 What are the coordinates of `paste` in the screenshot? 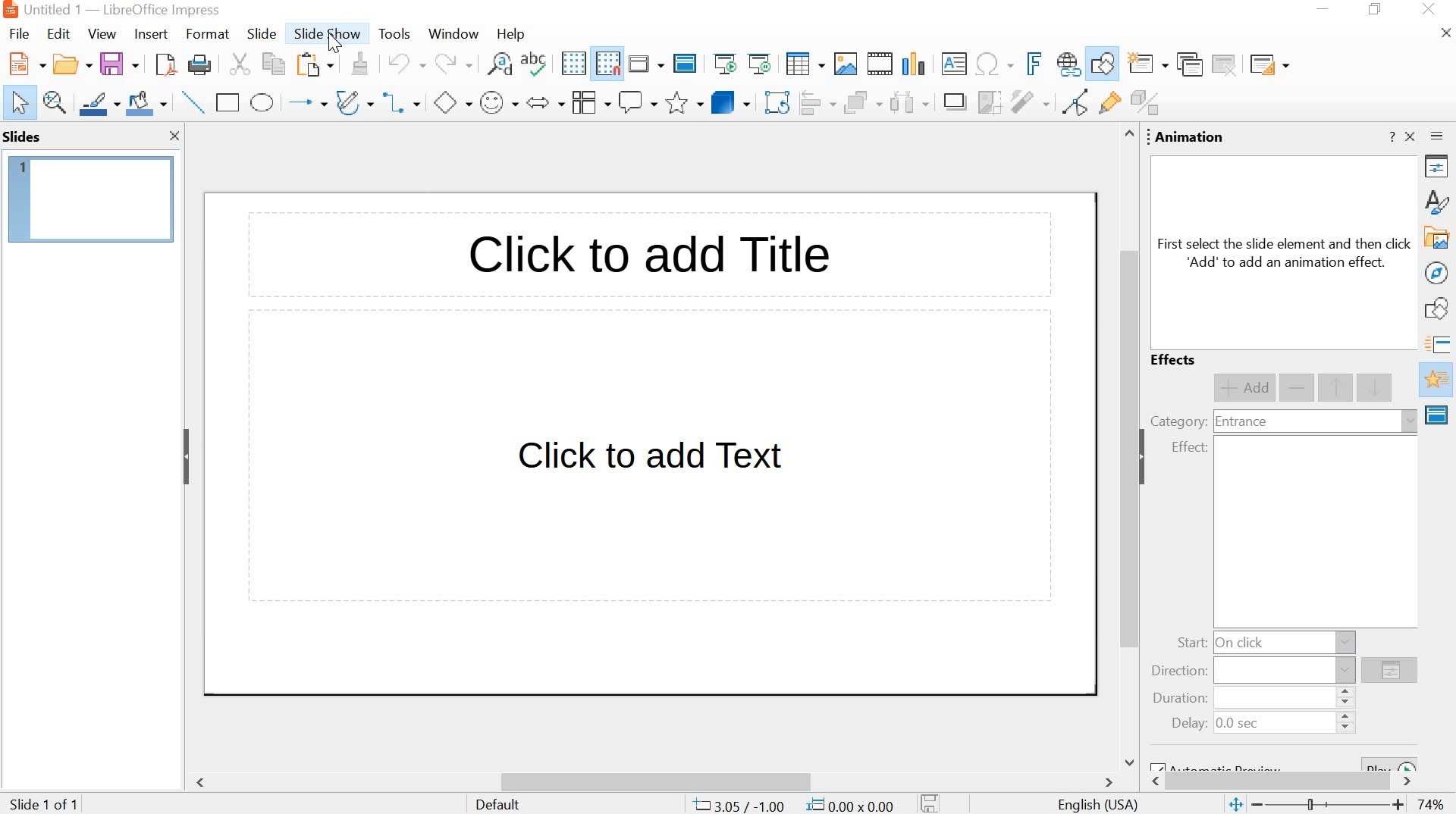 It's located at (313, 66).